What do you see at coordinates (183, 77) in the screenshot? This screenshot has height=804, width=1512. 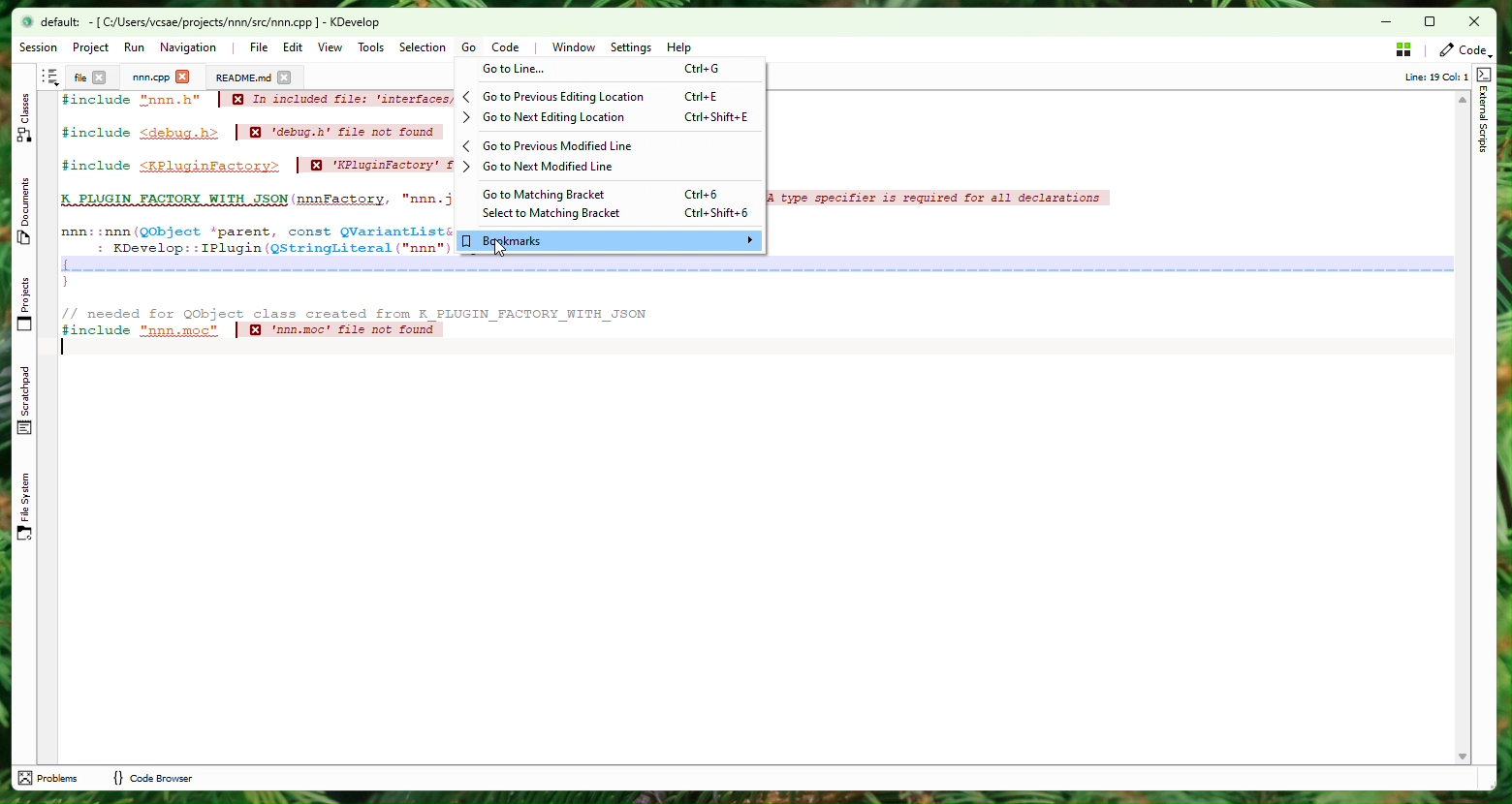 I see `close tab` at bounding box center [183, 77].